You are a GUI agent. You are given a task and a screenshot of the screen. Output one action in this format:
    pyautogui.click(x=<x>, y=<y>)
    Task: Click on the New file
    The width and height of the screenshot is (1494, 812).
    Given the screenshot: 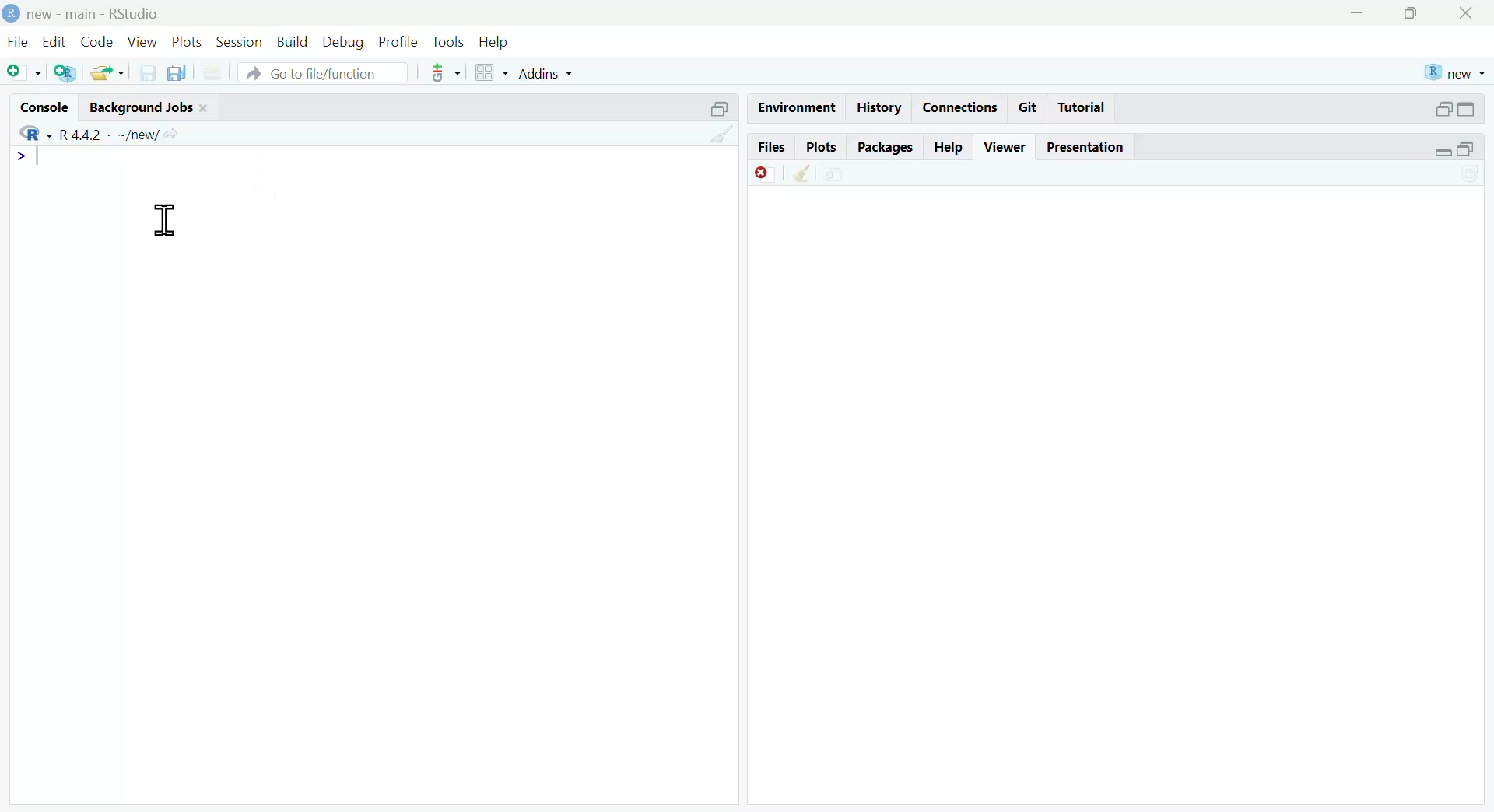 What is the action you would take?
    pyautogui.click(x=23, y=75)
    